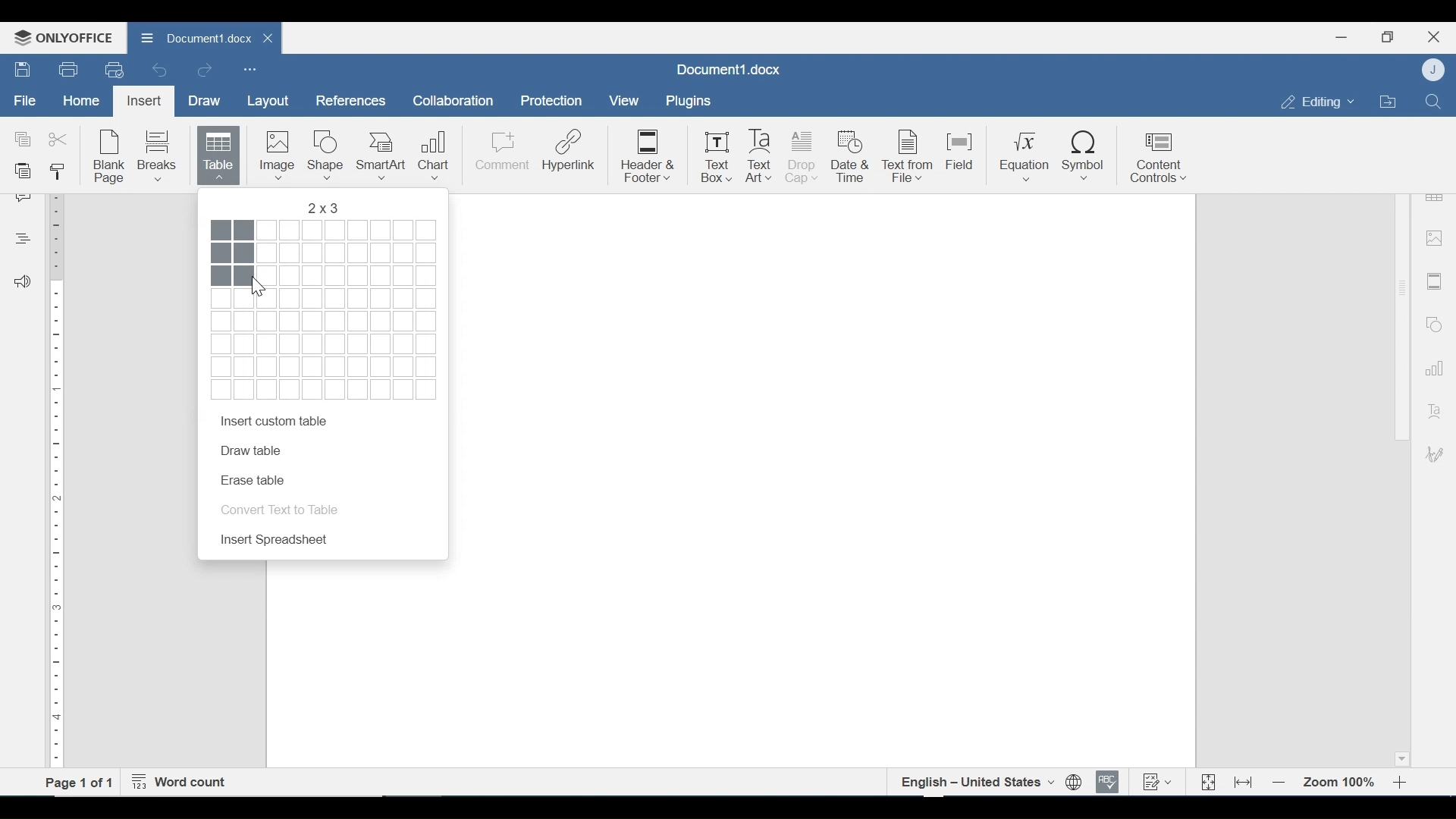 This screenshot has height=819, width=1456. What do you see at coordinates (1434, 237) in the screenshot?
I see `image` at bounding box center [1434, 237].